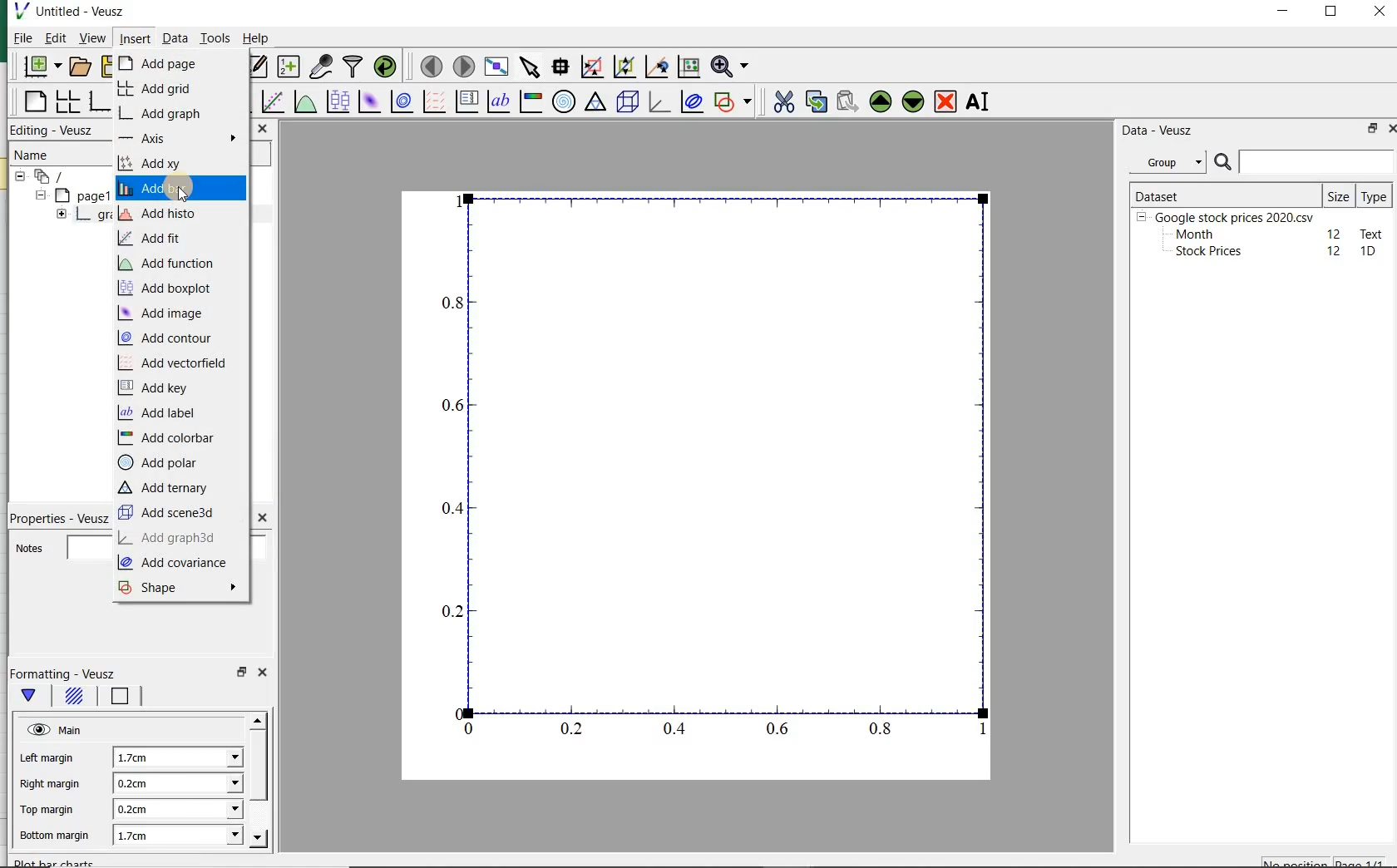 The image size is (1397, 868). I want to click on 12, so click(1335, 251).